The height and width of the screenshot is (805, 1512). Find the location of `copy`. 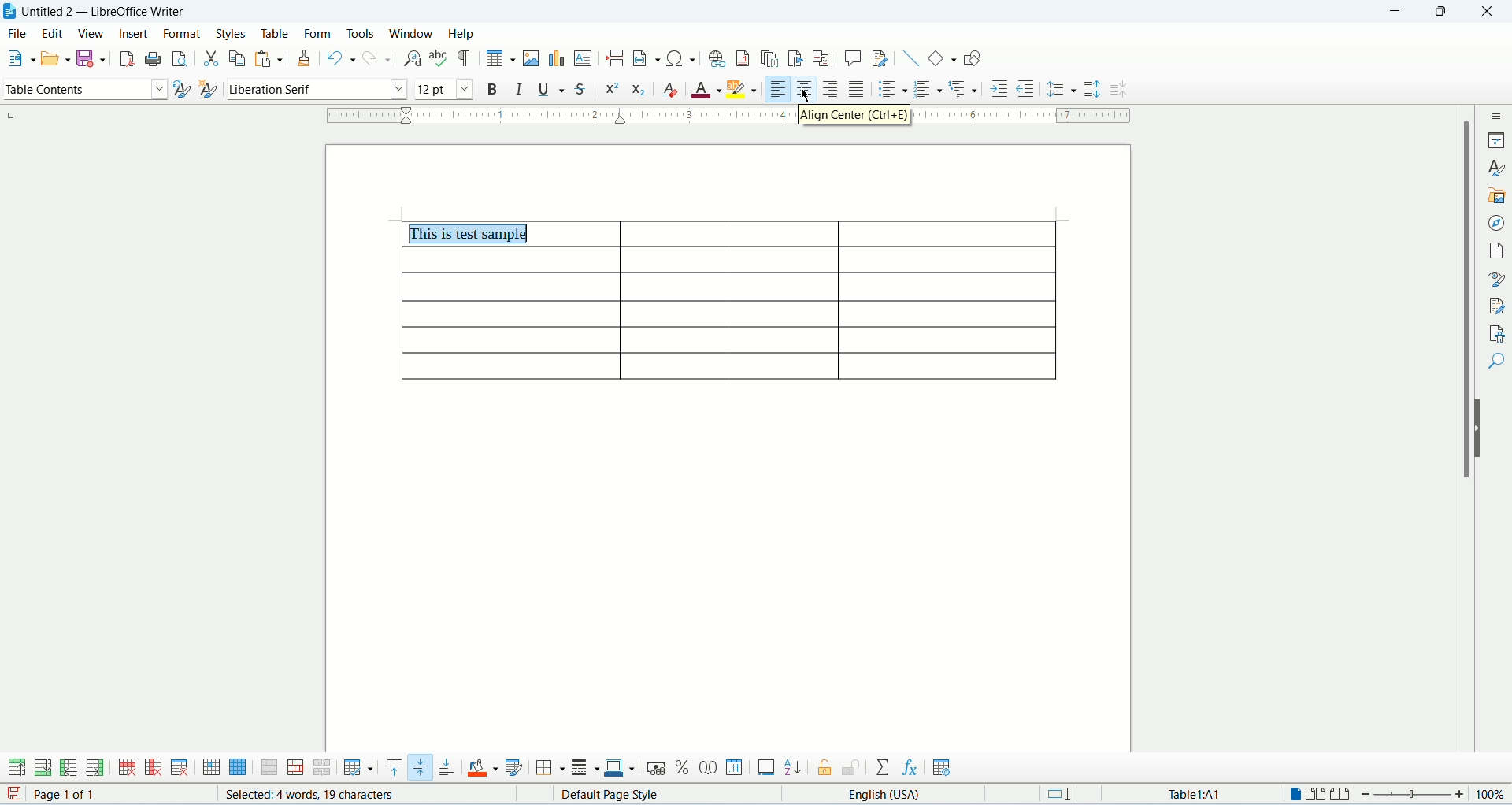

copy is located at coordinates (237, 58).